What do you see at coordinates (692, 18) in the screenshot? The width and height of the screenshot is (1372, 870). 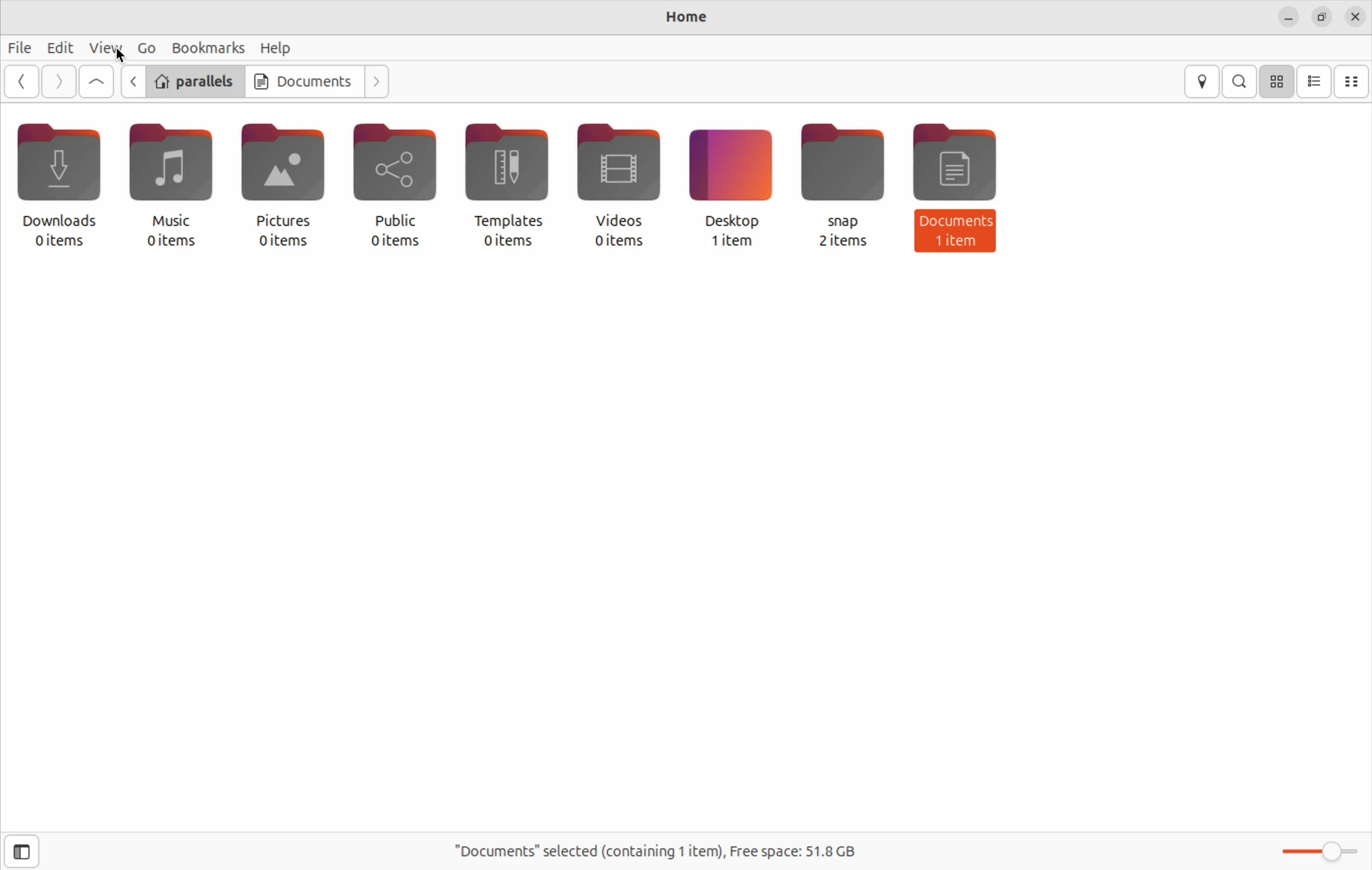 I see `Home` at bounding box center [692, 18].